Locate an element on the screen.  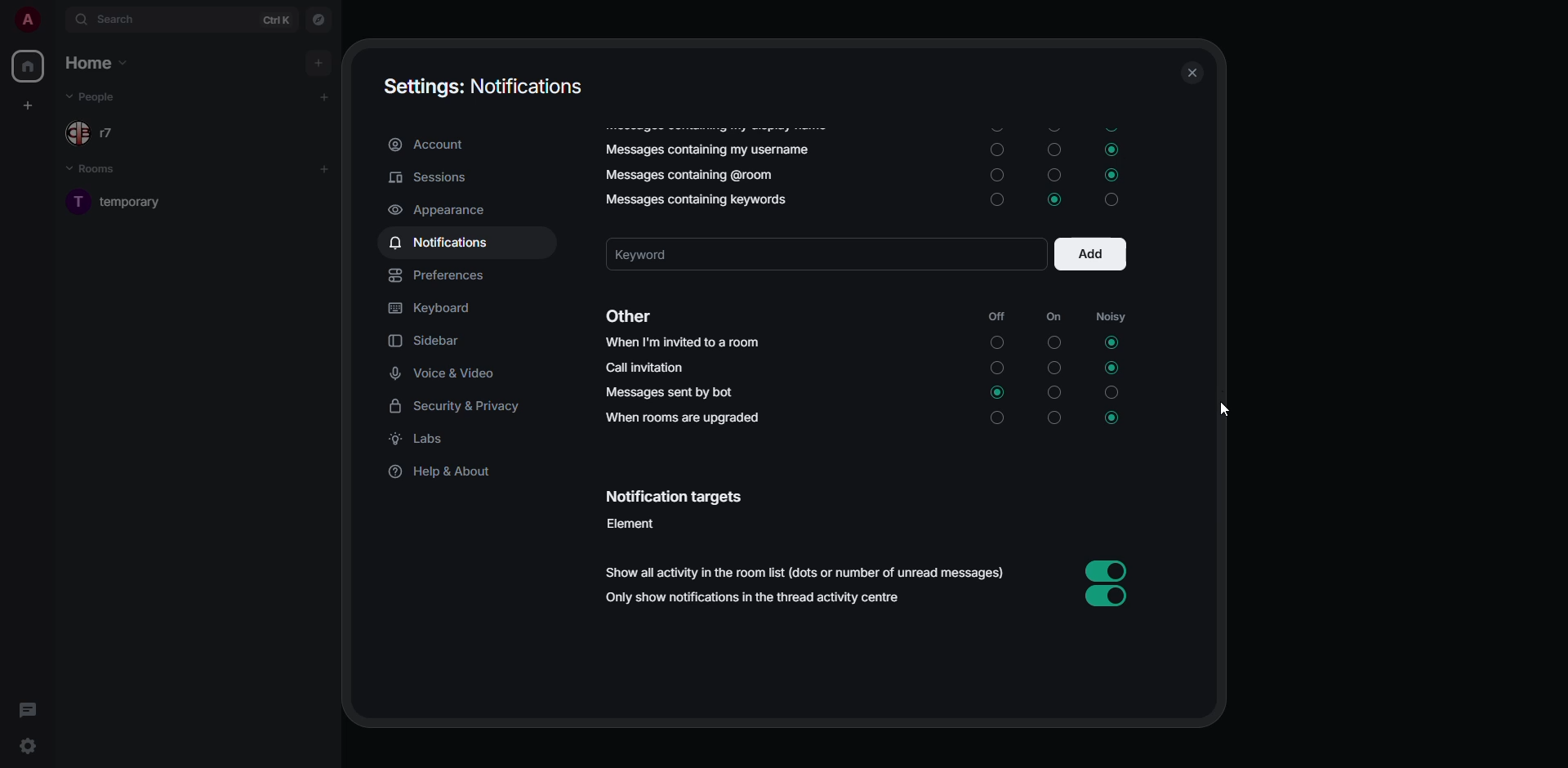
on is located at coordinates (996, 369).